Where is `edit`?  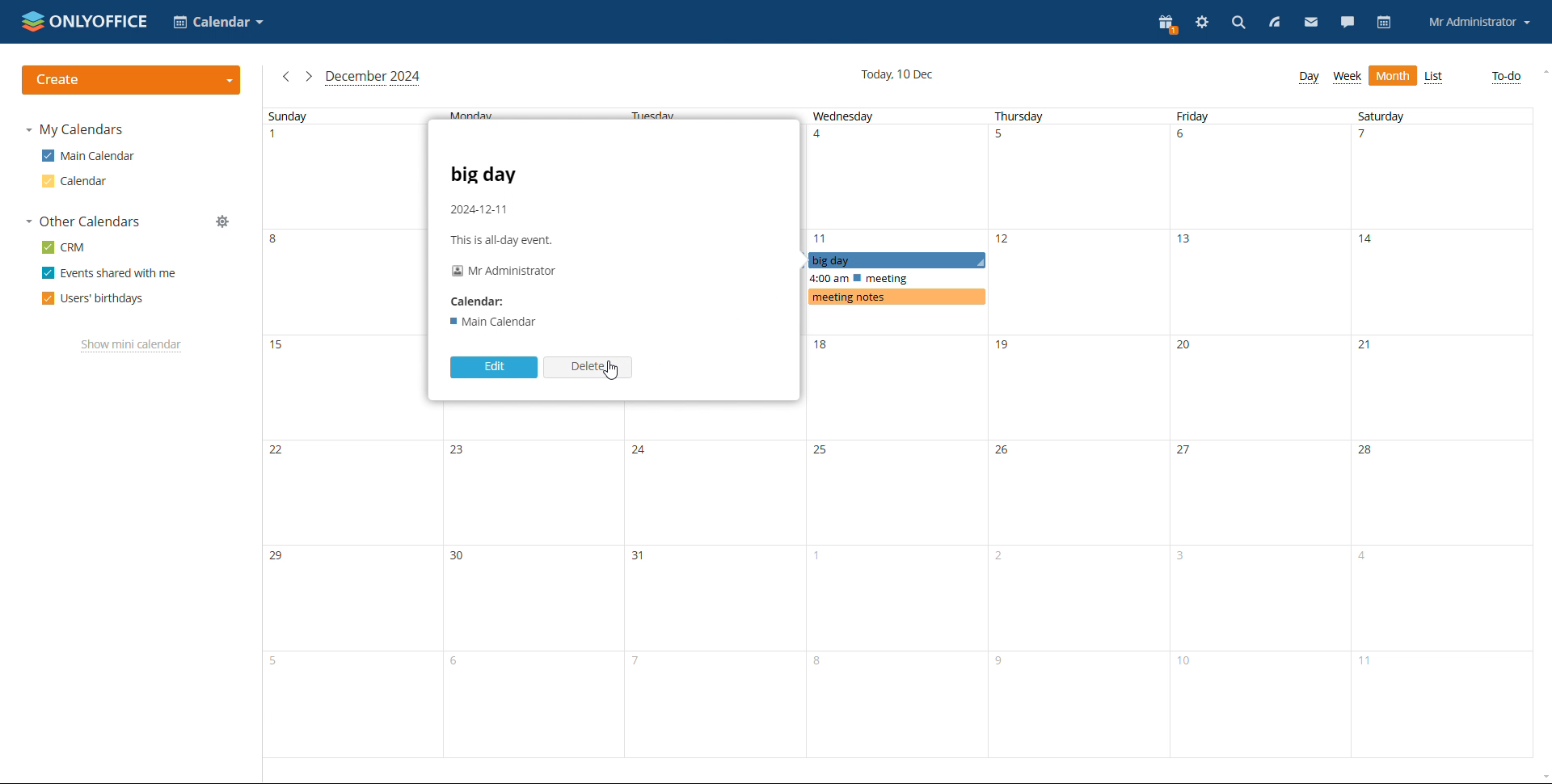
edit is located at coordinates (494, 369).